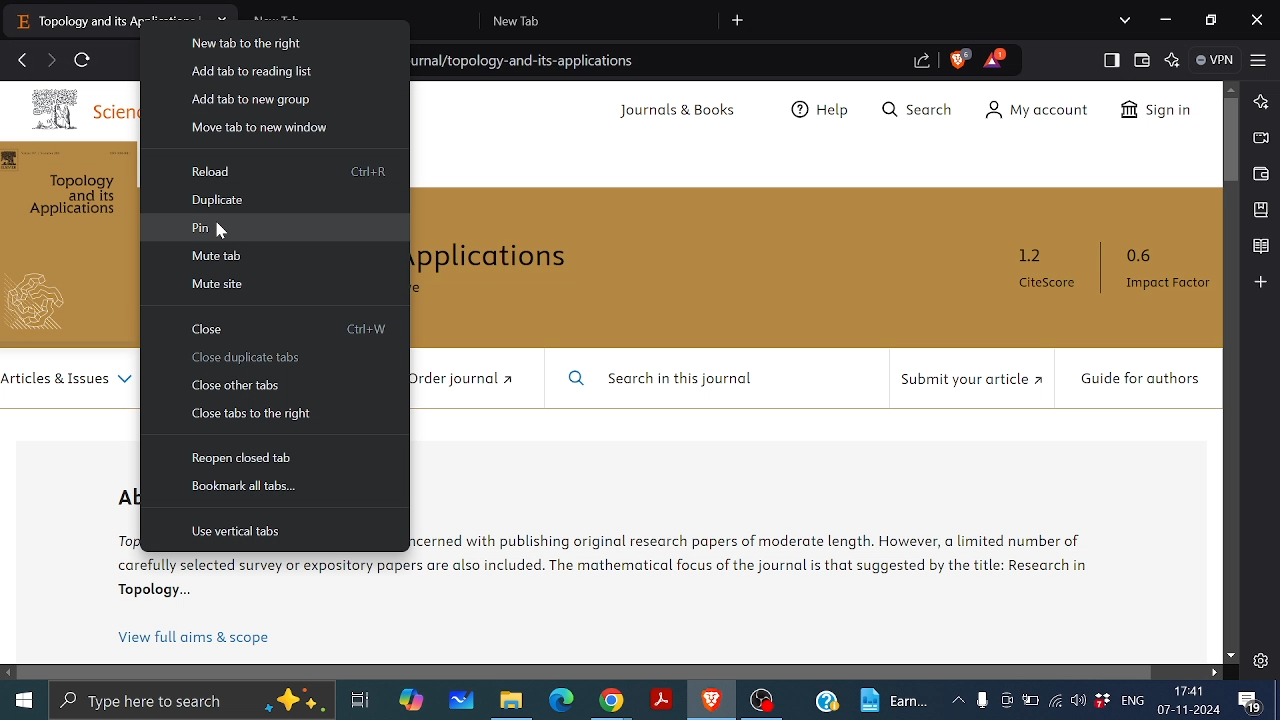  Describe the element at coordinates (1173, 61) in the screenshot. I see `Leo AI` at that location.